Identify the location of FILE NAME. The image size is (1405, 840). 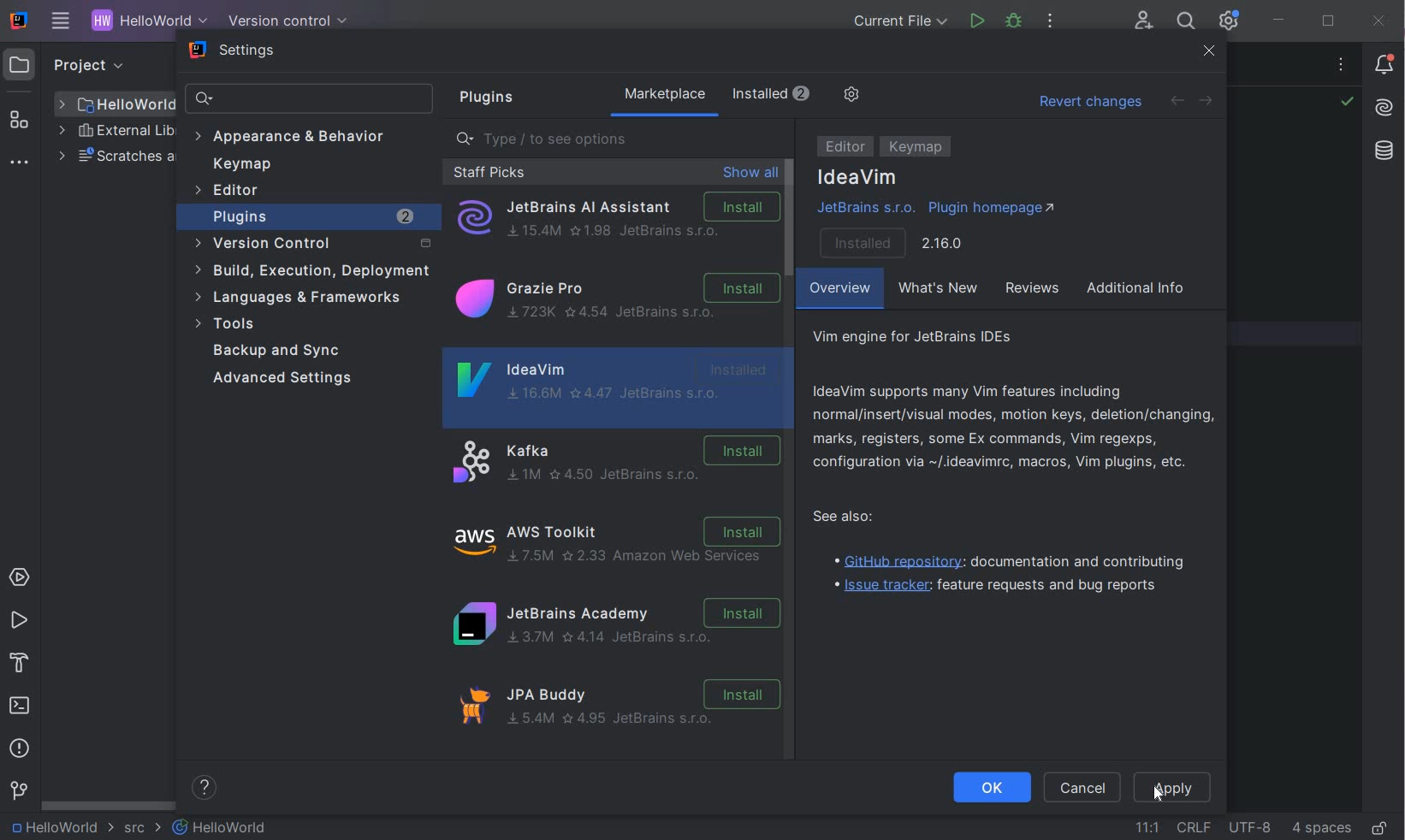
(116, 104).